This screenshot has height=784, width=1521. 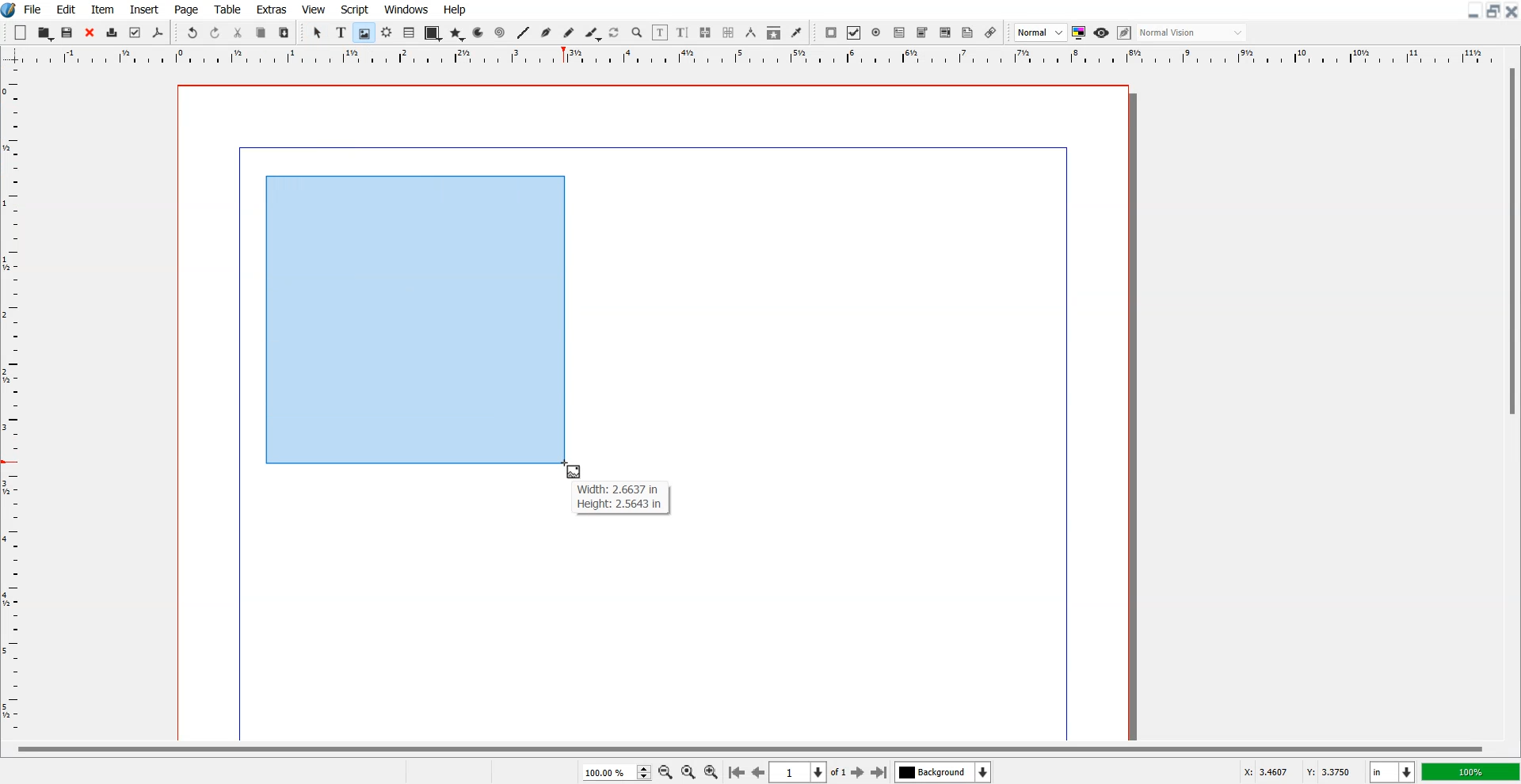 I want to click on Maximize, so click(x=1492, y=11).